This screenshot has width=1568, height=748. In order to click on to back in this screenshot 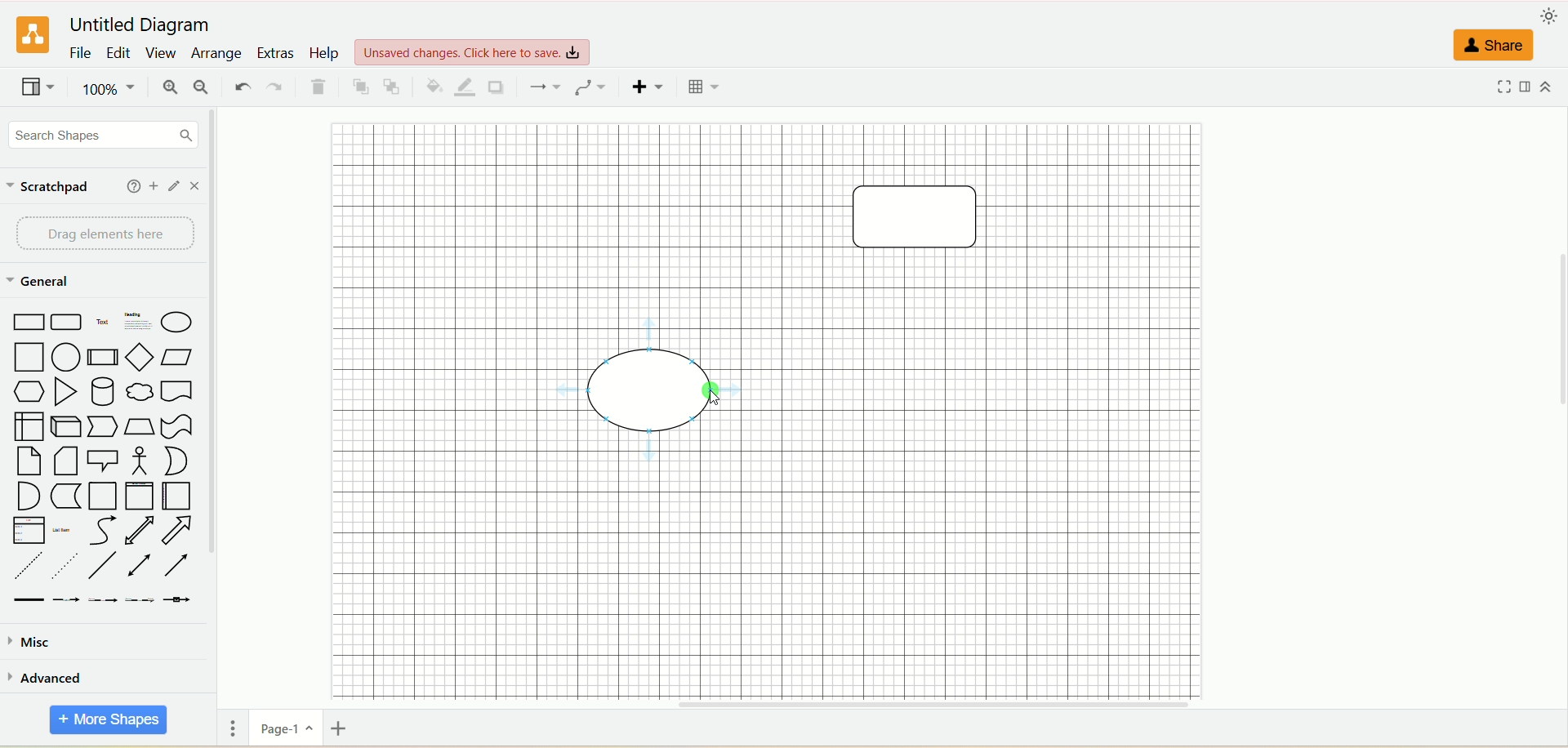, I will do `click(395, 87)`.